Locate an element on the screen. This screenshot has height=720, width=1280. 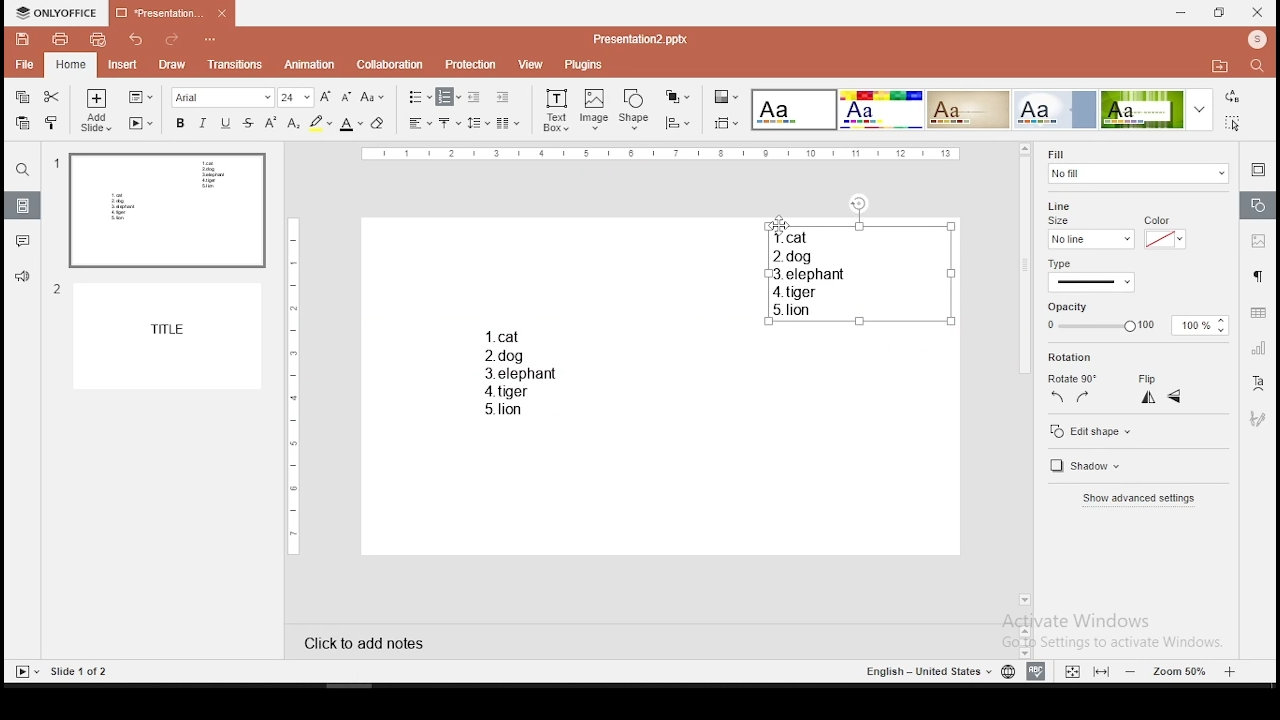
English is located at coordinates (920, 671).